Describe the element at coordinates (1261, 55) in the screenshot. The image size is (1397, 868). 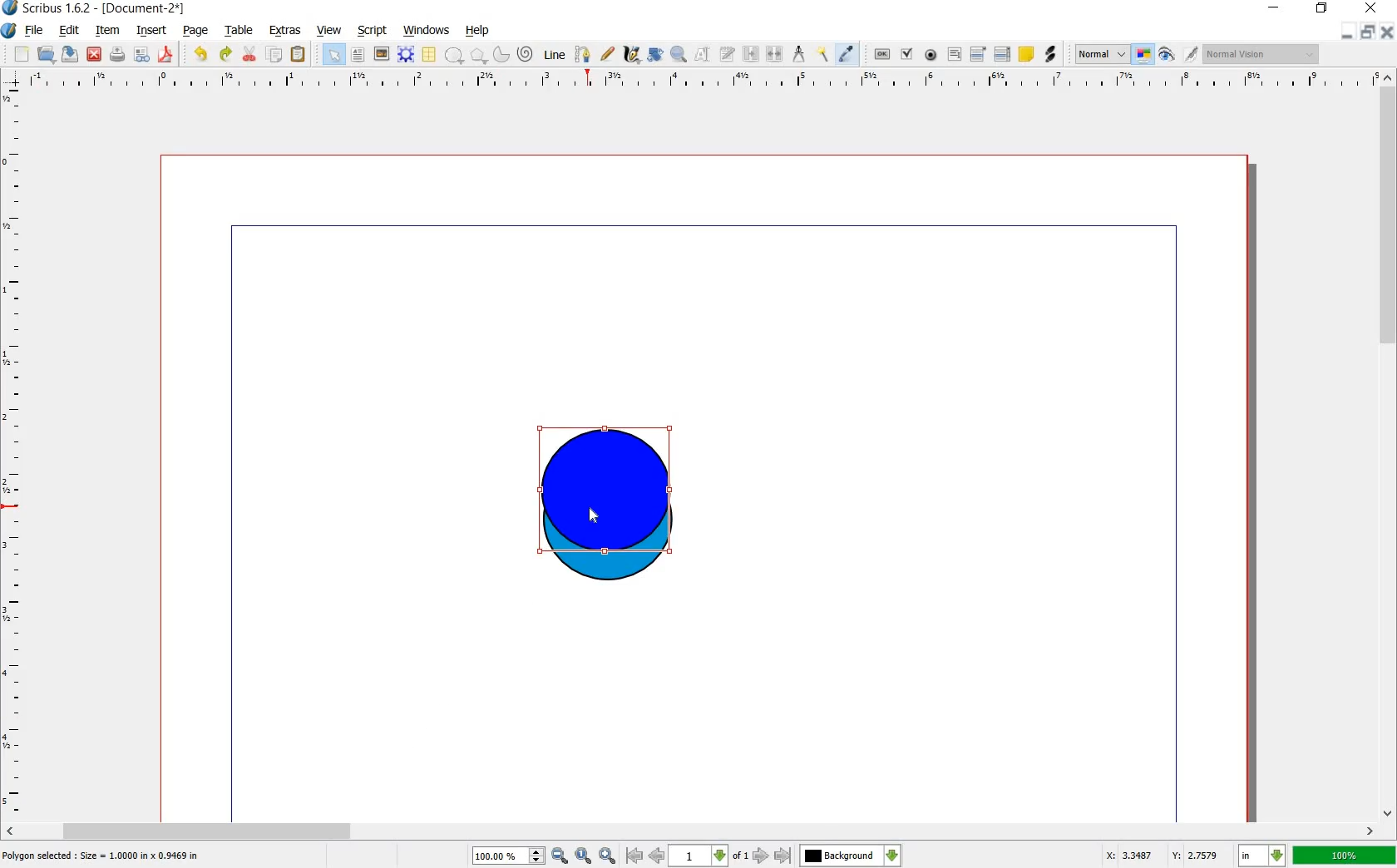
I see `normal vision` at that location.